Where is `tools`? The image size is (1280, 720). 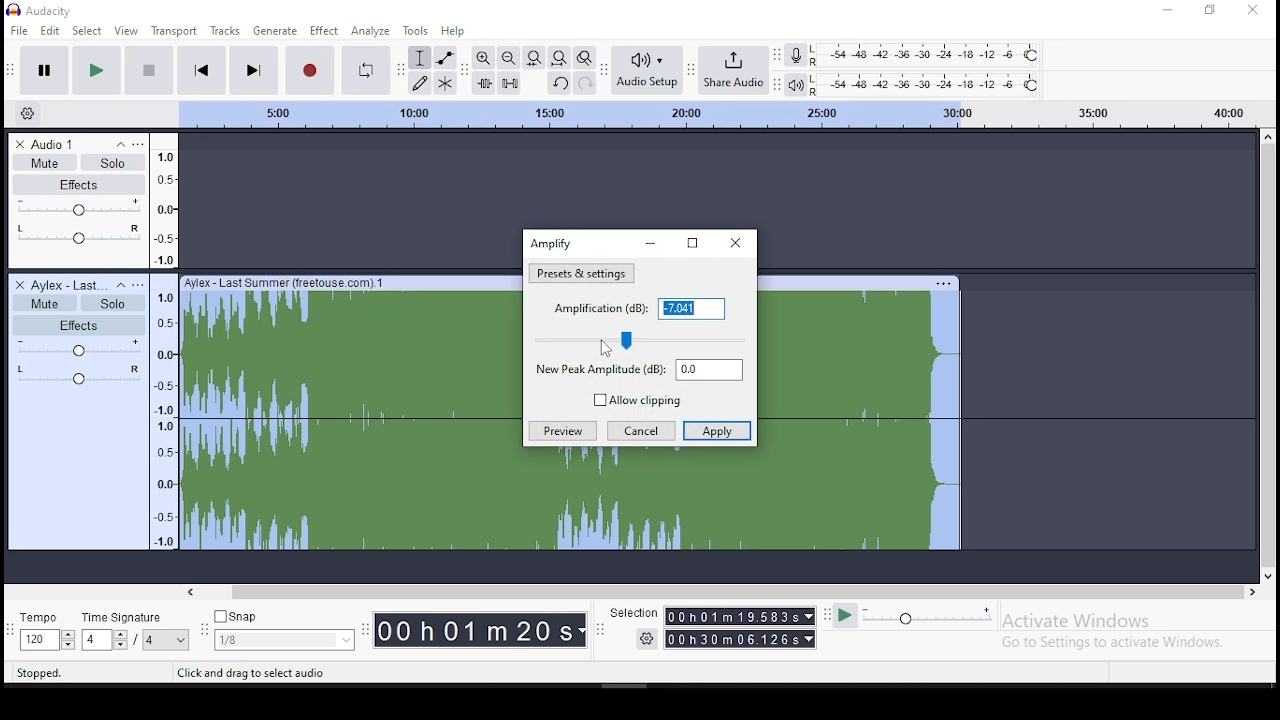
tools is located at coordinates (416, 31).